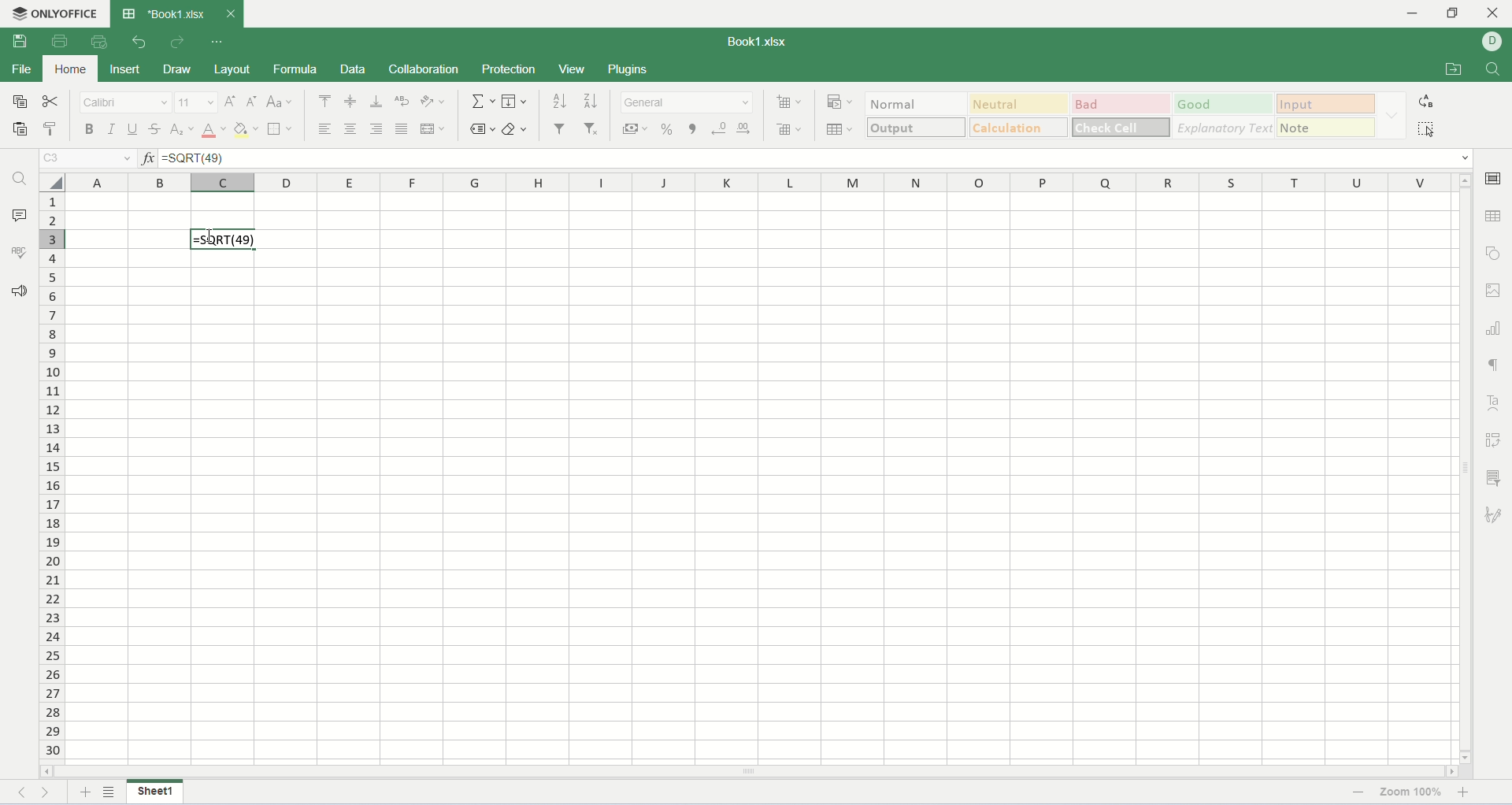 The width and height of the screenshot is (1512, 805). What do you see at coordinates (350, 128) in the screenshot?
I see `align center` at bounding box center [350, 128].